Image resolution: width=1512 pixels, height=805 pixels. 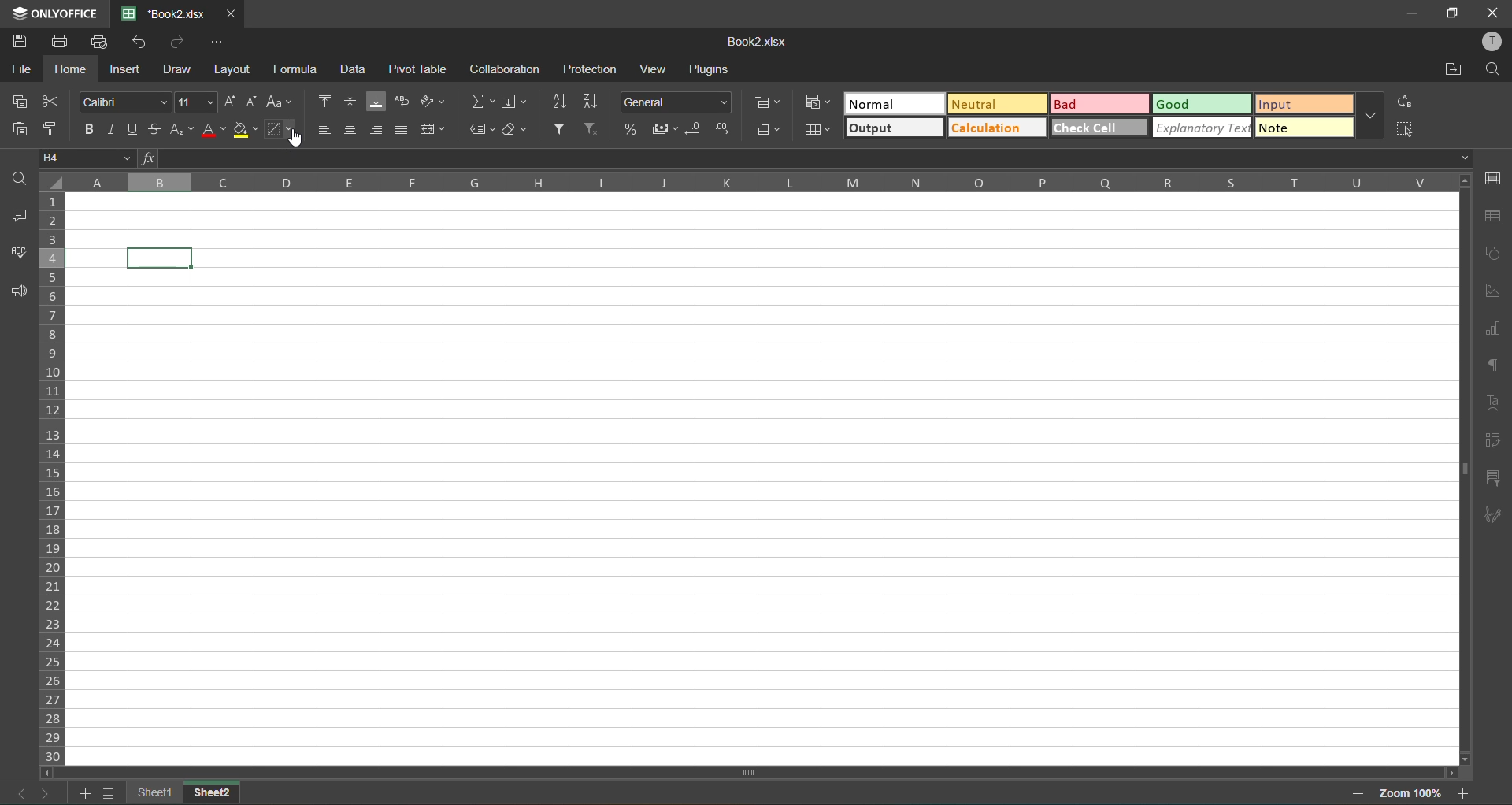 What do you see at coordinates (419, 71) in the screenshot?
I see `pivot table` at bounding box center [419, 71].